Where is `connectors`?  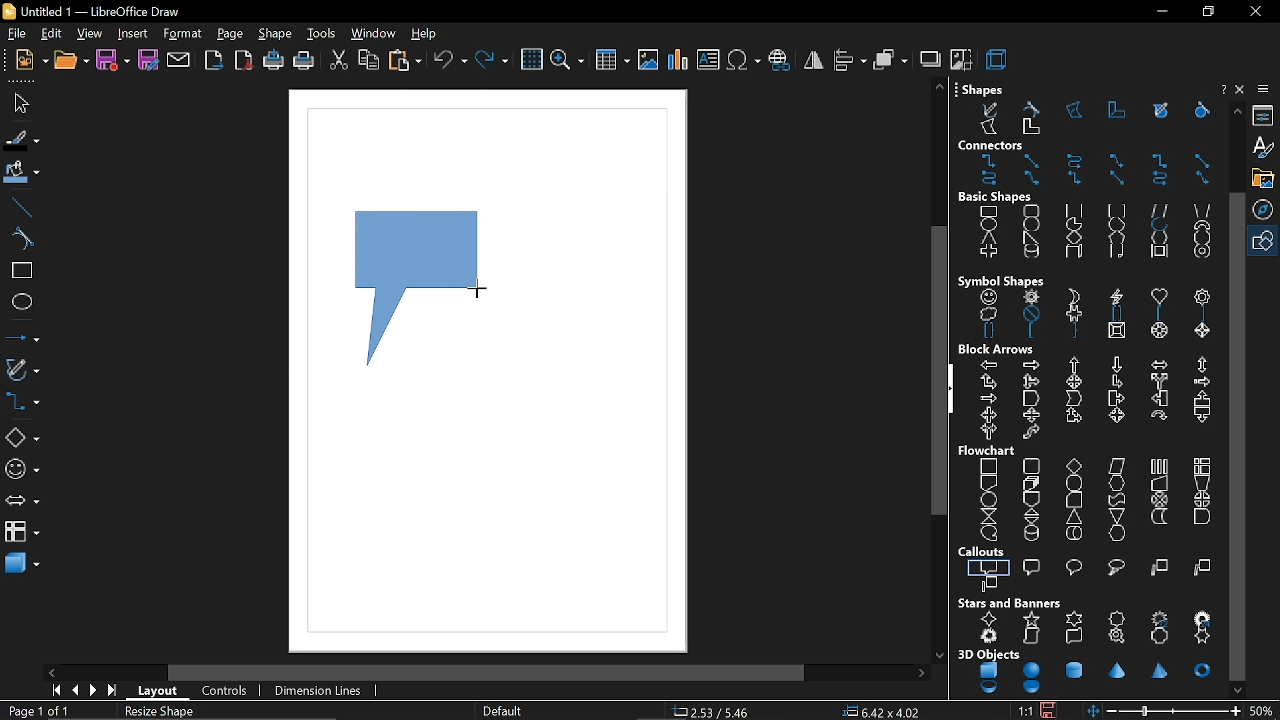 connectors is located at coordinates (993, 145).